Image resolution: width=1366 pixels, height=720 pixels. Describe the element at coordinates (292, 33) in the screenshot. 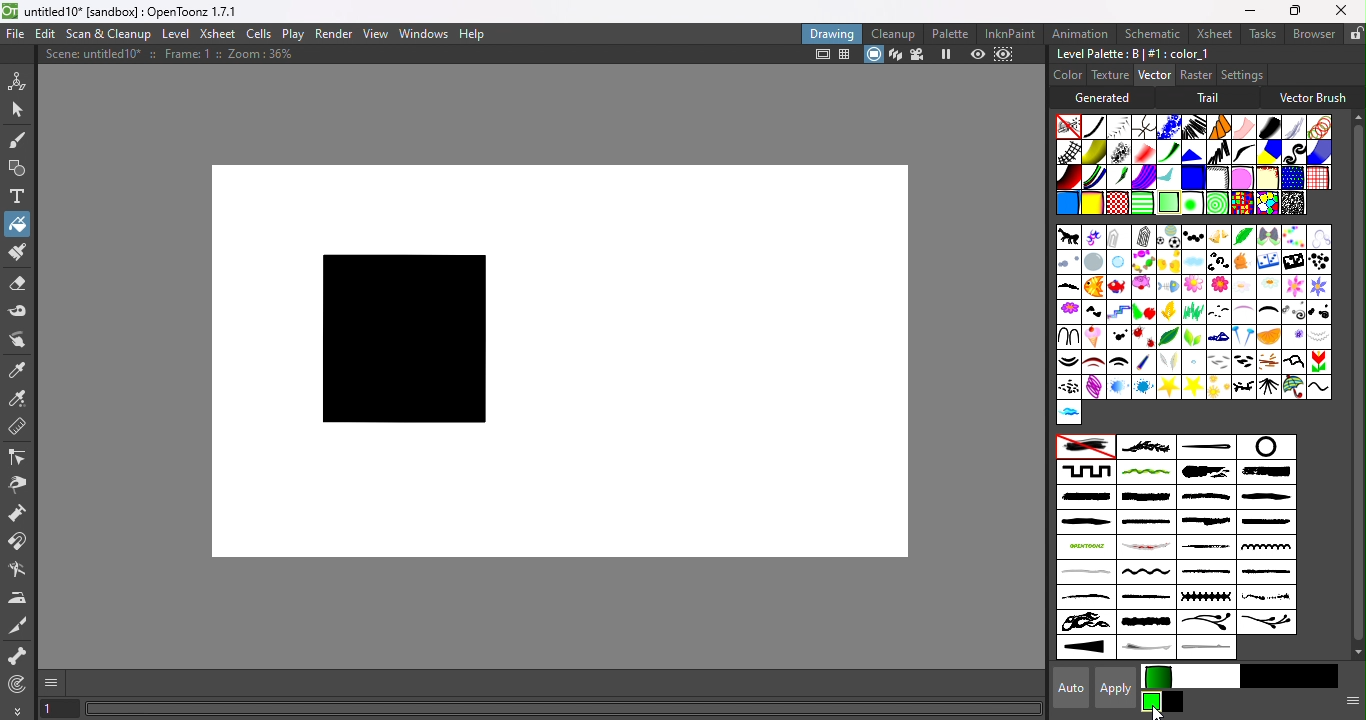

I see `Play` at that location.